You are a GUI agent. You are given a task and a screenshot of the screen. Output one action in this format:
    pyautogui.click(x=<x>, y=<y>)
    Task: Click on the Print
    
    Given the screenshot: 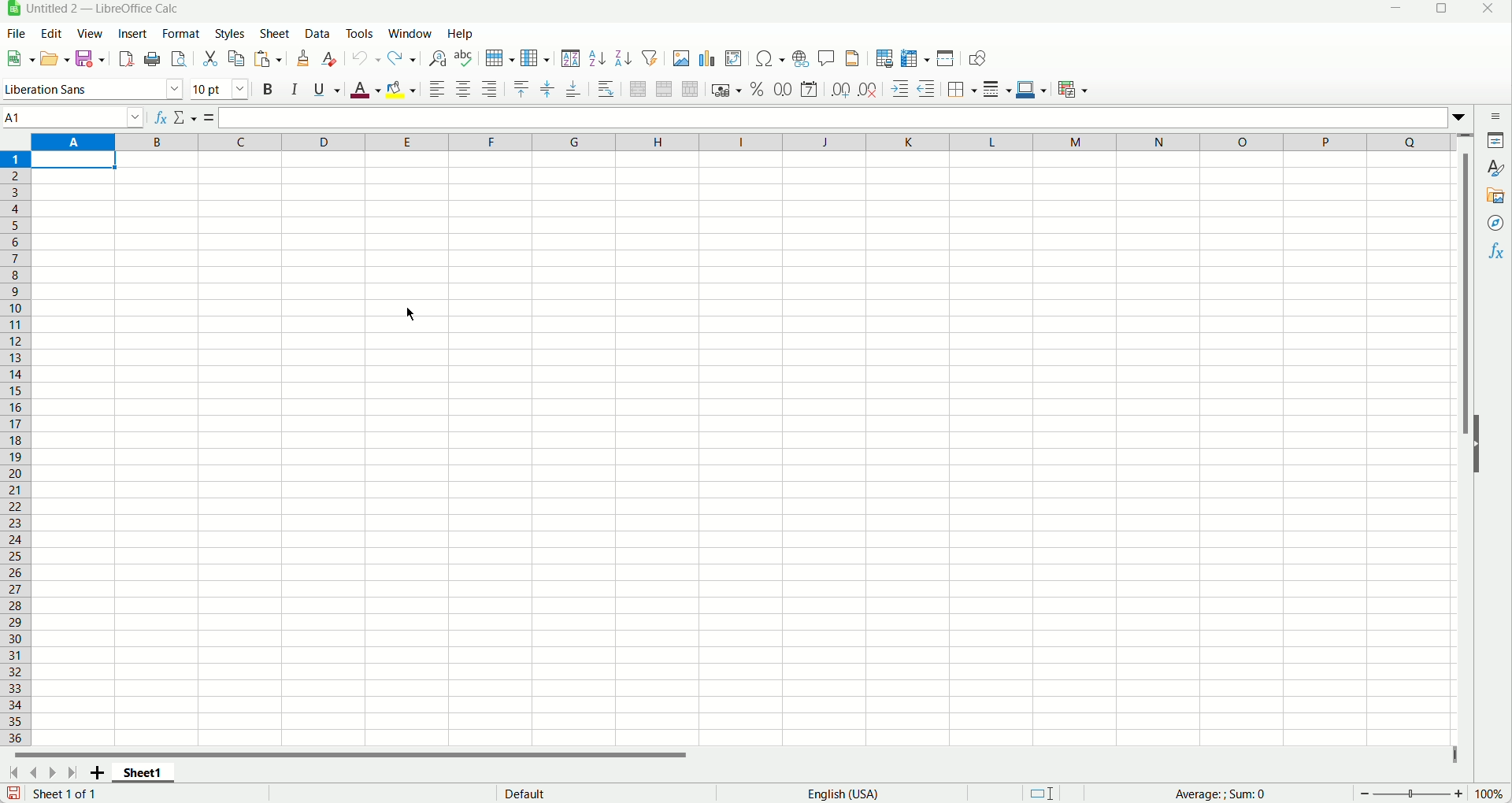 What is the action you would take?
    pyautogui.click(x=154, y=58)
    